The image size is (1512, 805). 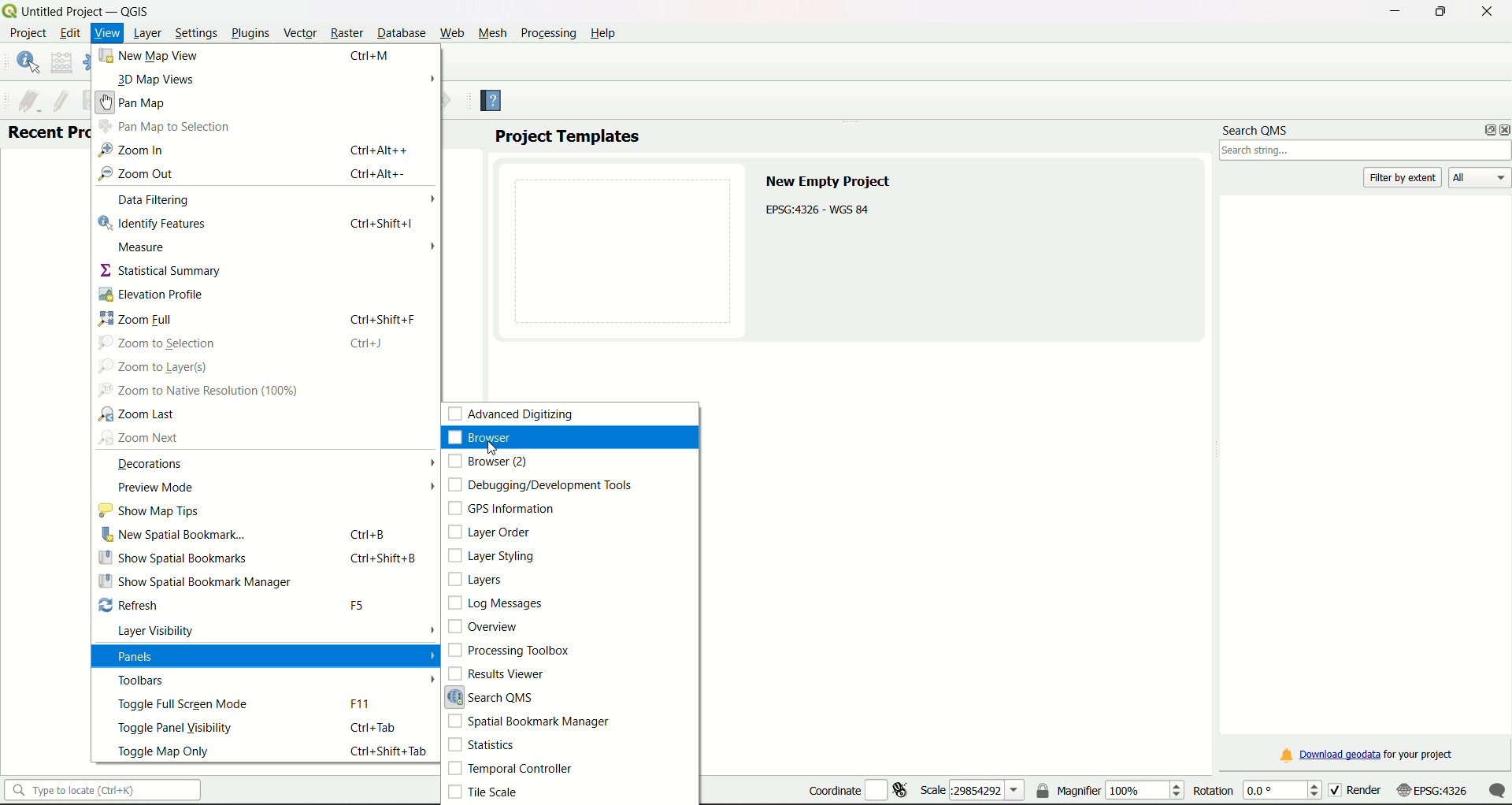 What do you see at coordinates (495, 452) in the screenshot?
I see `Cursor` at bounding box center [495, 452].